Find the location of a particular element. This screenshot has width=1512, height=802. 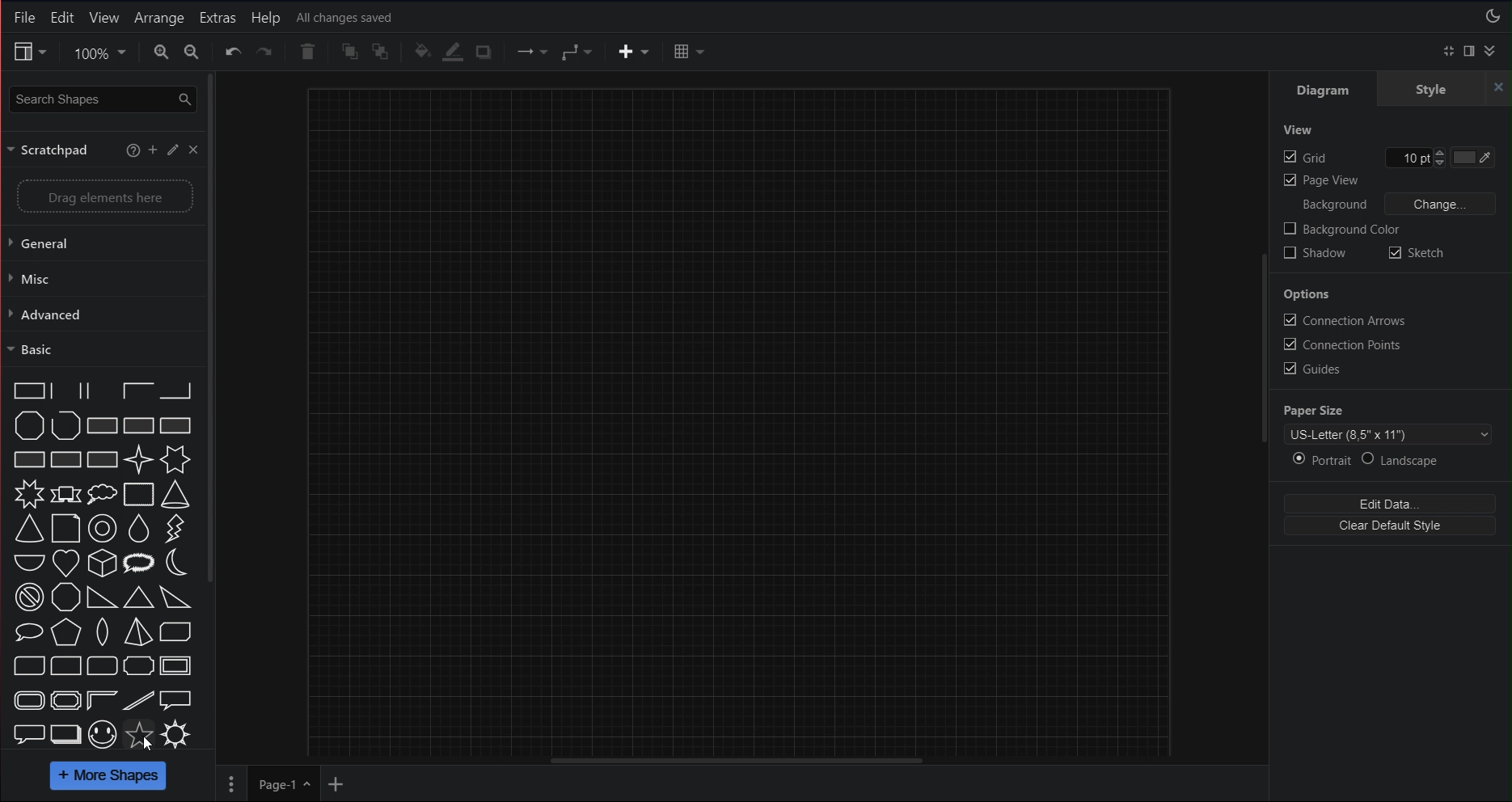

Cursor is located at coordinates (150, 743).